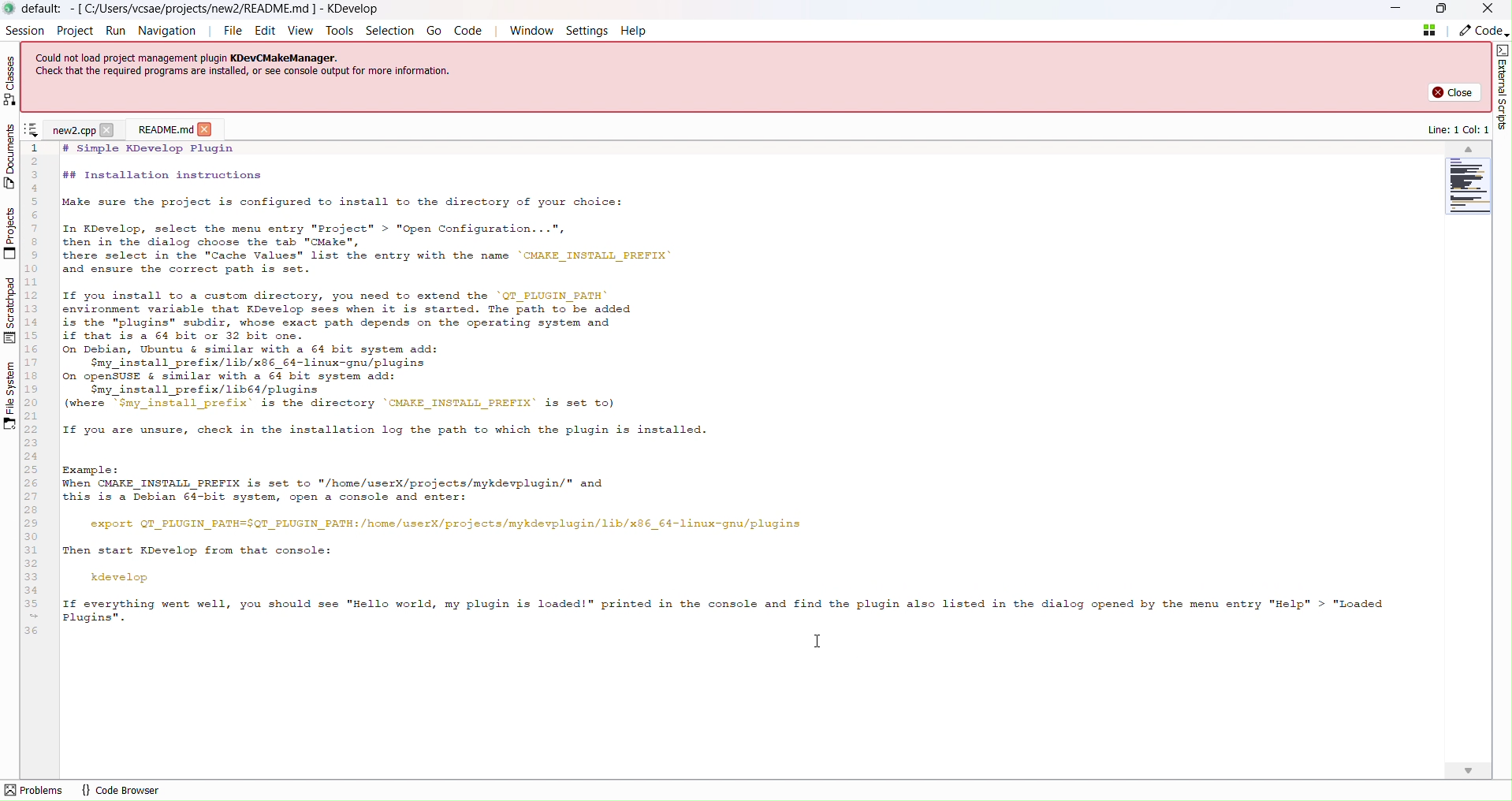 This screenshot has height=801, width=1512. I want to click on tools, so click(339, 30).